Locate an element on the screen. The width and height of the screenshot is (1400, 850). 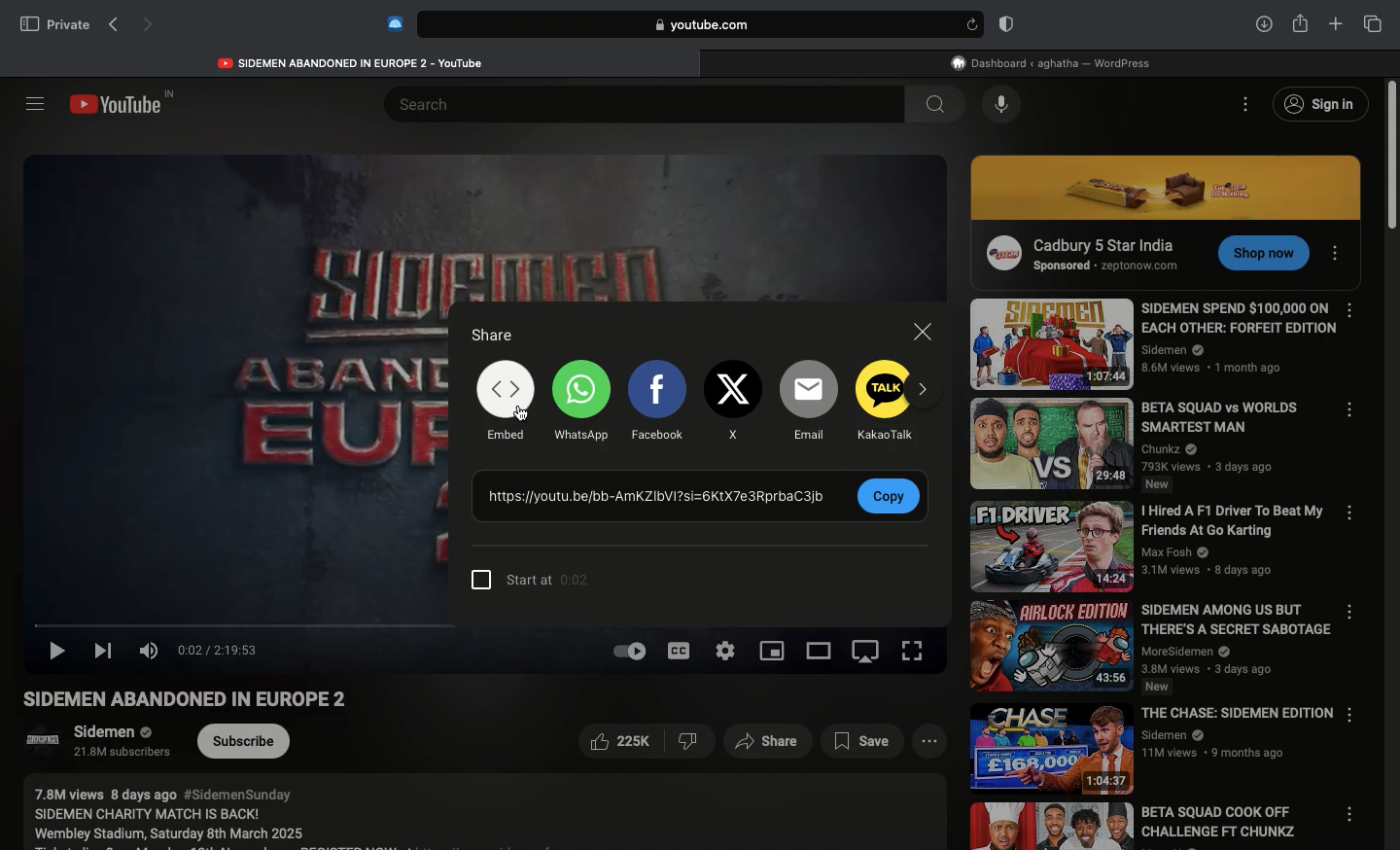
Youtube is located at coordinates (125, 104).